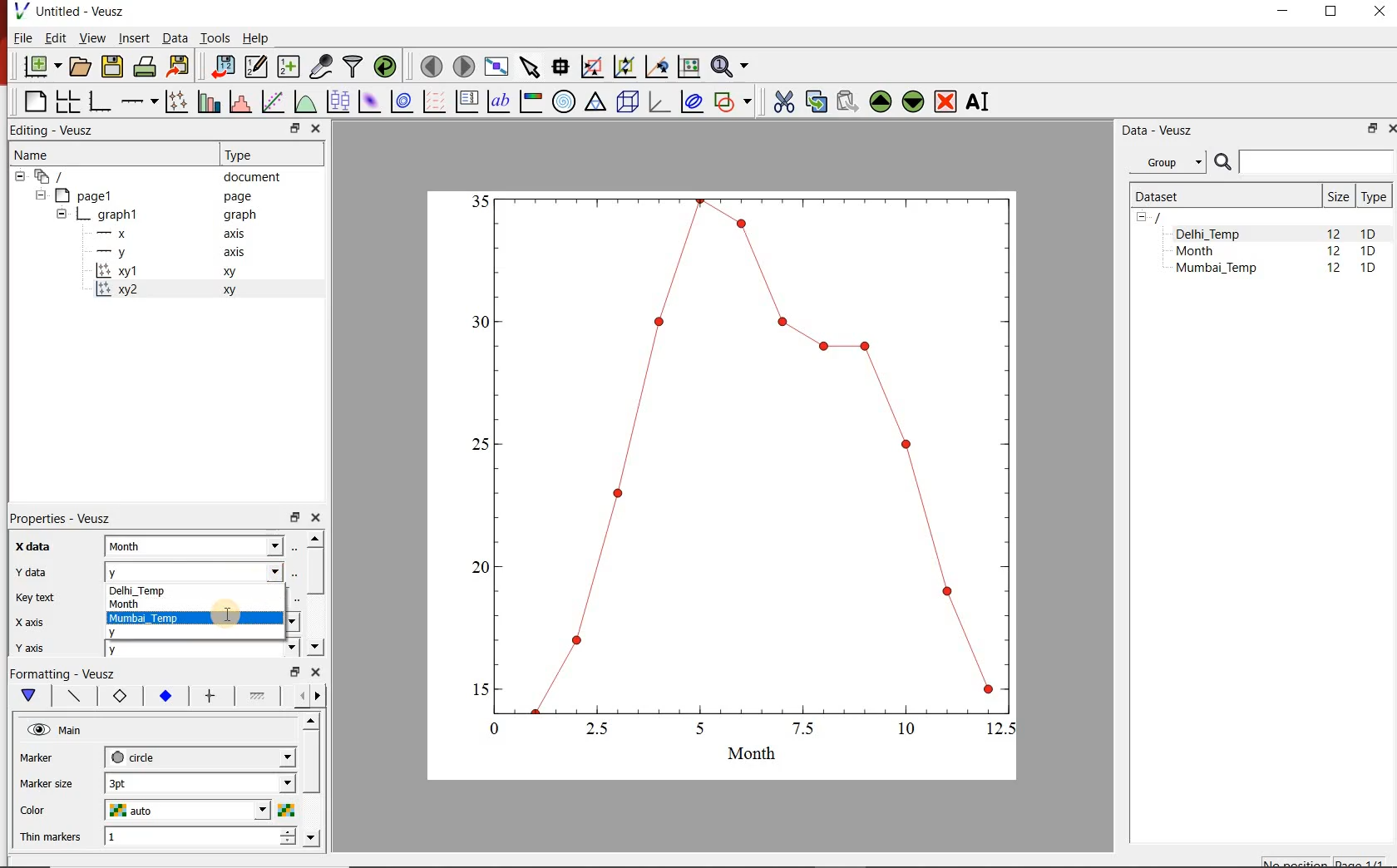 This screenshot has width=1397, height=868. I want to click on plot covariance ellipses, so click(692, 101).